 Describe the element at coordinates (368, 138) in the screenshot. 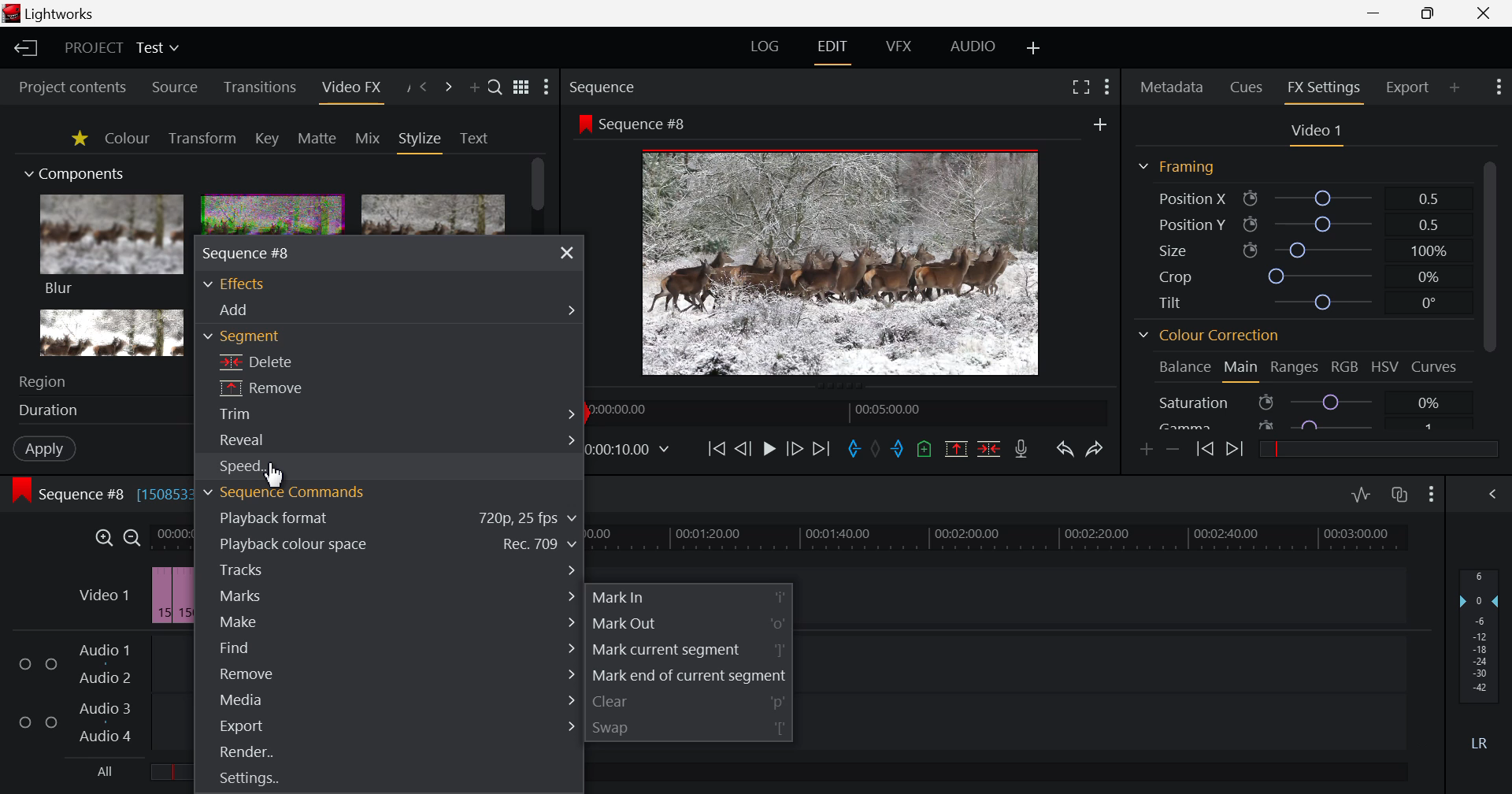

I see `Mix` at that location.